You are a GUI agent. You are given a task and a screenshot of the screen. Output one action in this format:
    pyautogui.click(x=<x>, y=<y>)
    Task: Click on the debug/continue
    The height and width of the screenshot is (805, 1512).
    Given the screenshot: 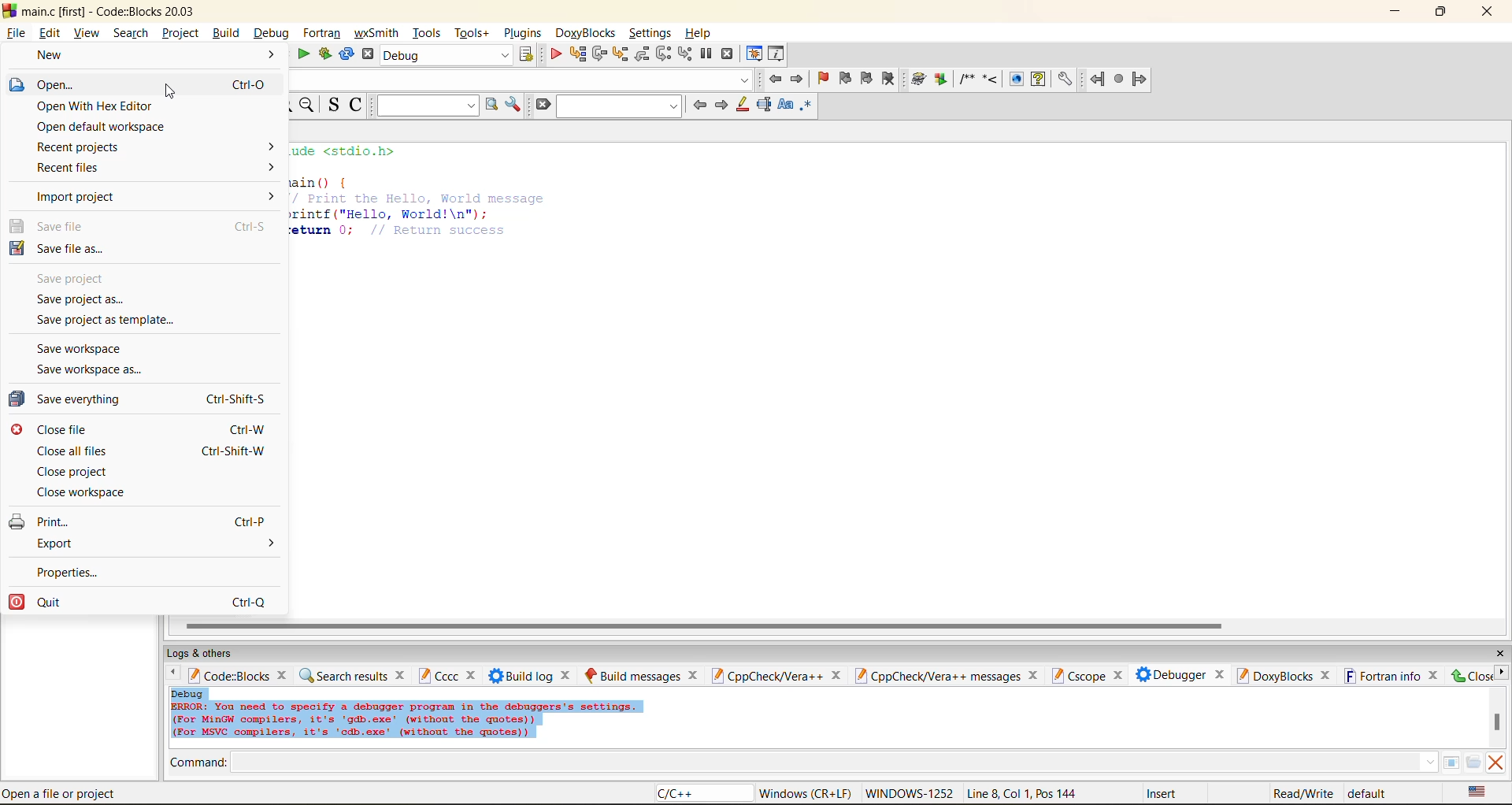 What is the action you would take?
    pyautogui.click(x=555, y=54)
    